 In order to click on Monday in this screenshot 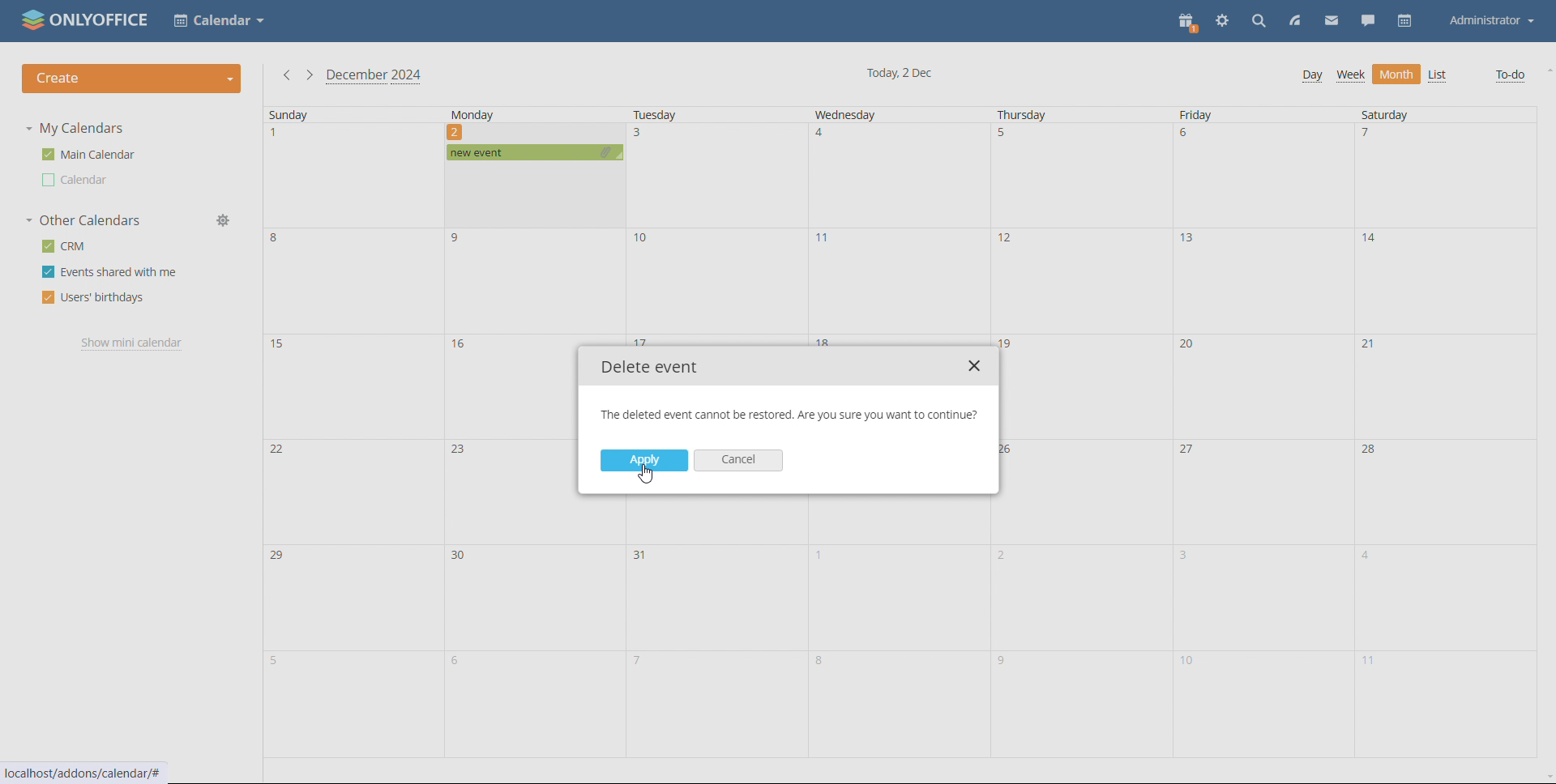, I will do `click(473, 114)`.